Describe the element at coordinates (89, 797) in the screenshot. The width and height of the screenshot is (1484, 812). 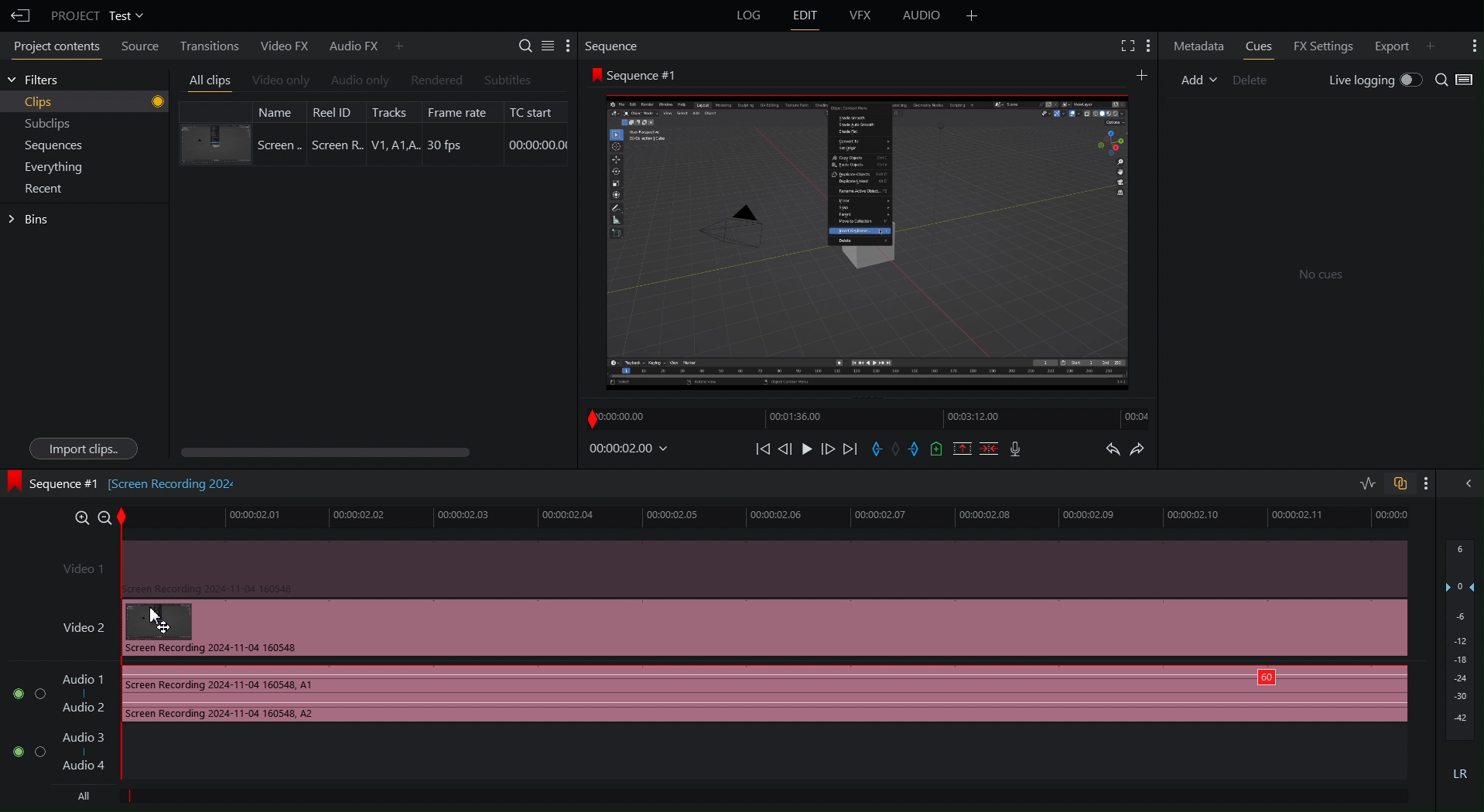
I see `All` at that location.